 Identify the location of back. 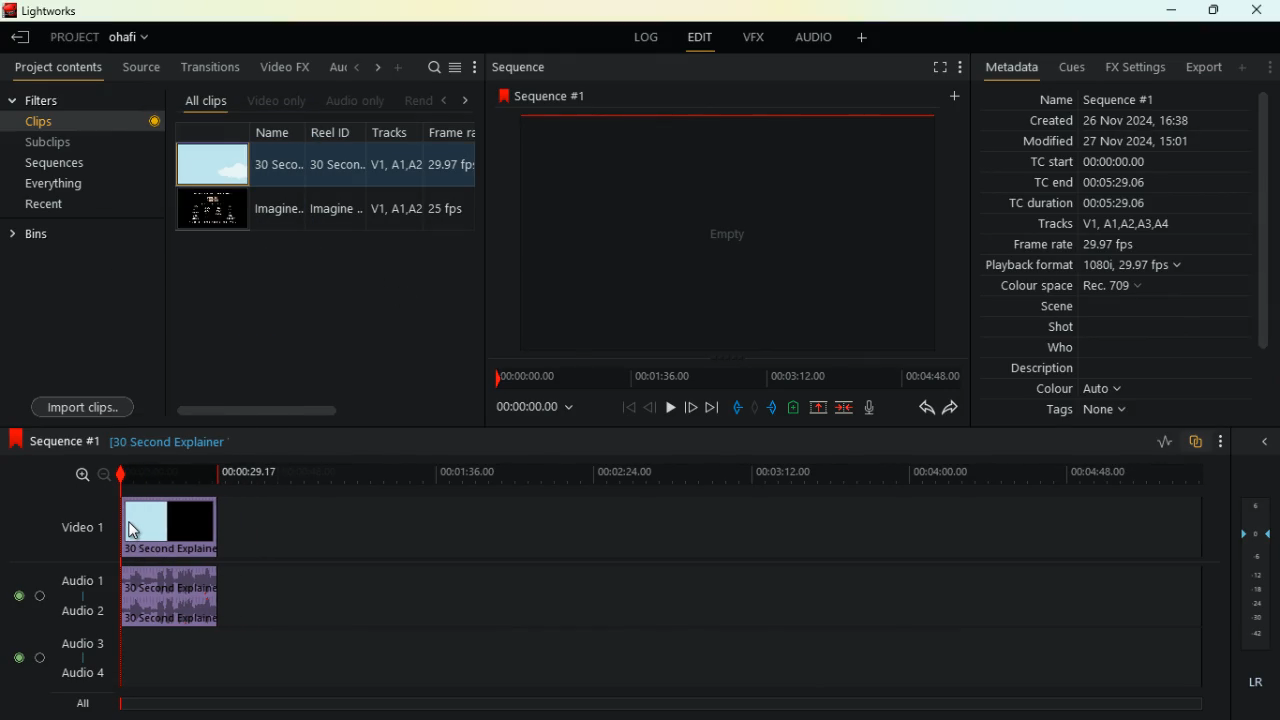
(918, 408).